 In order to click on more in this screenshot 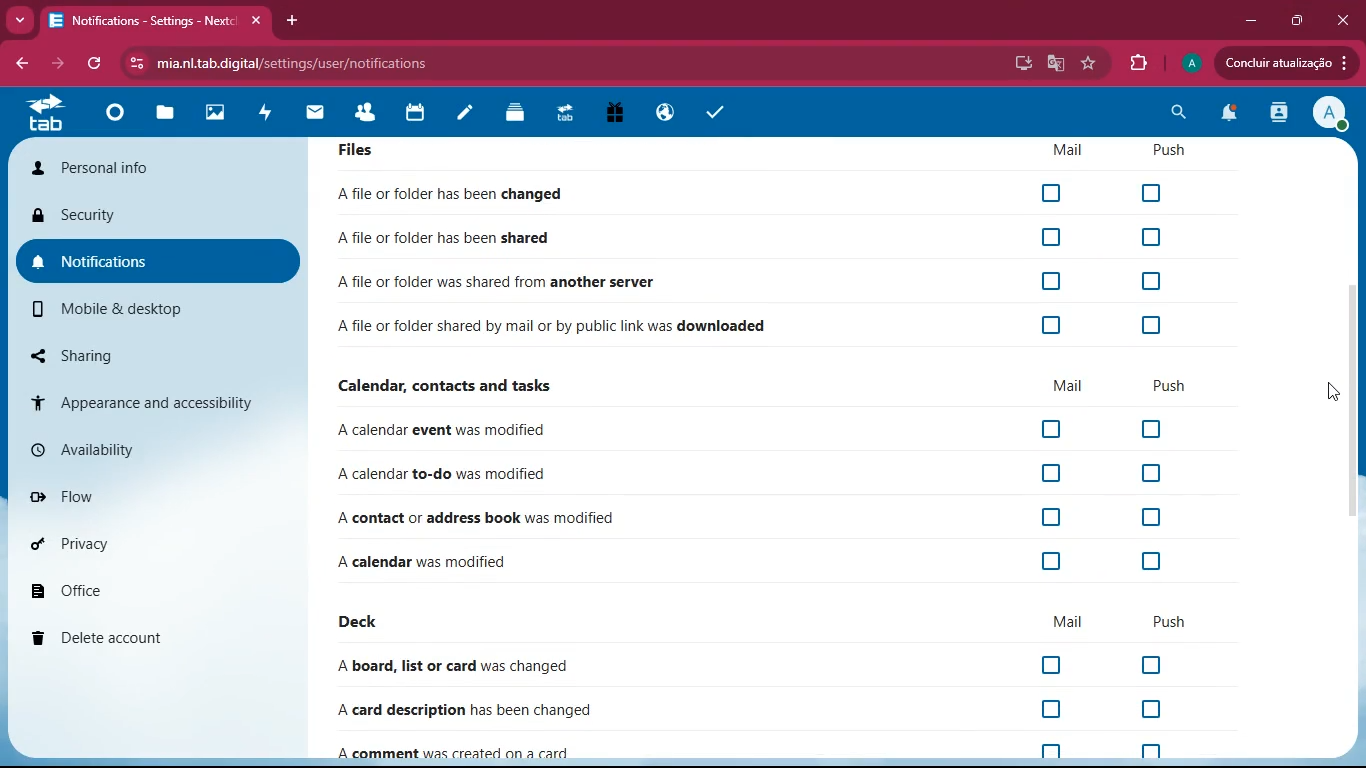, I will do `click(20, 19)`.